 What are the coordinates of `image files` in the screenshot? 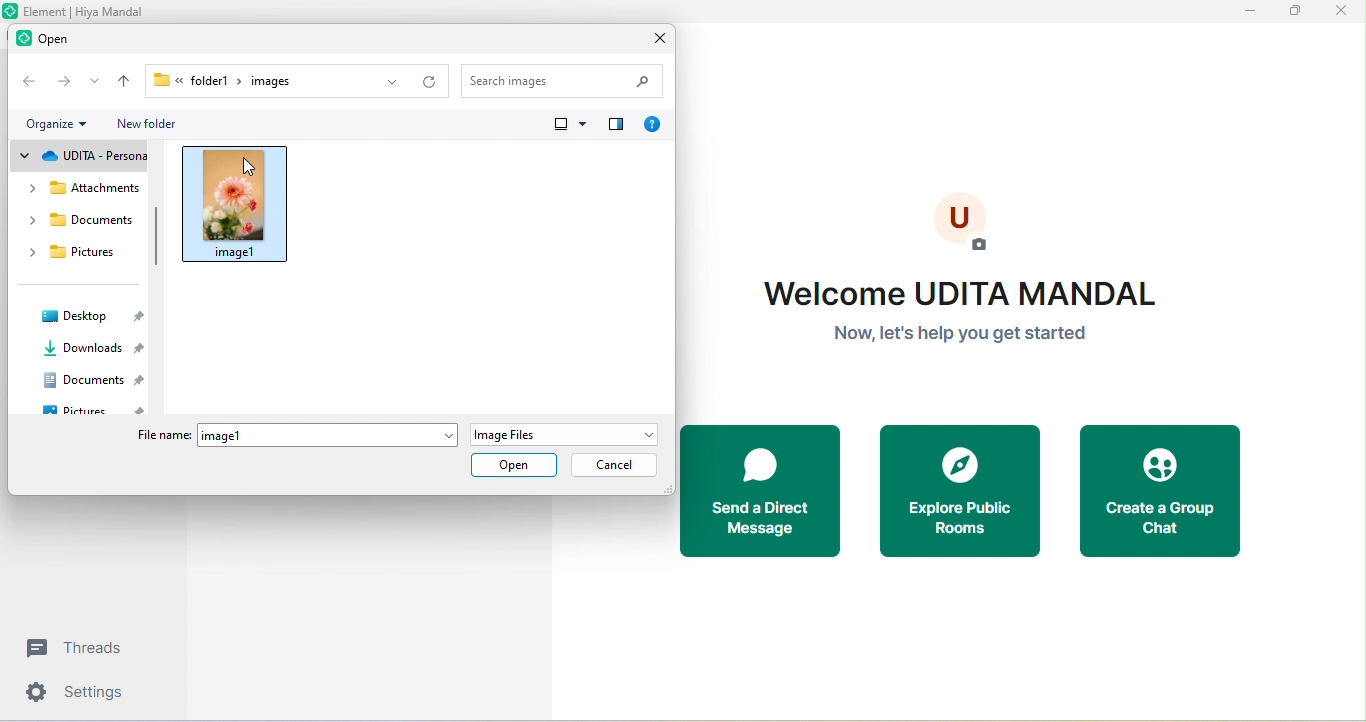 It's located at (559, 434).